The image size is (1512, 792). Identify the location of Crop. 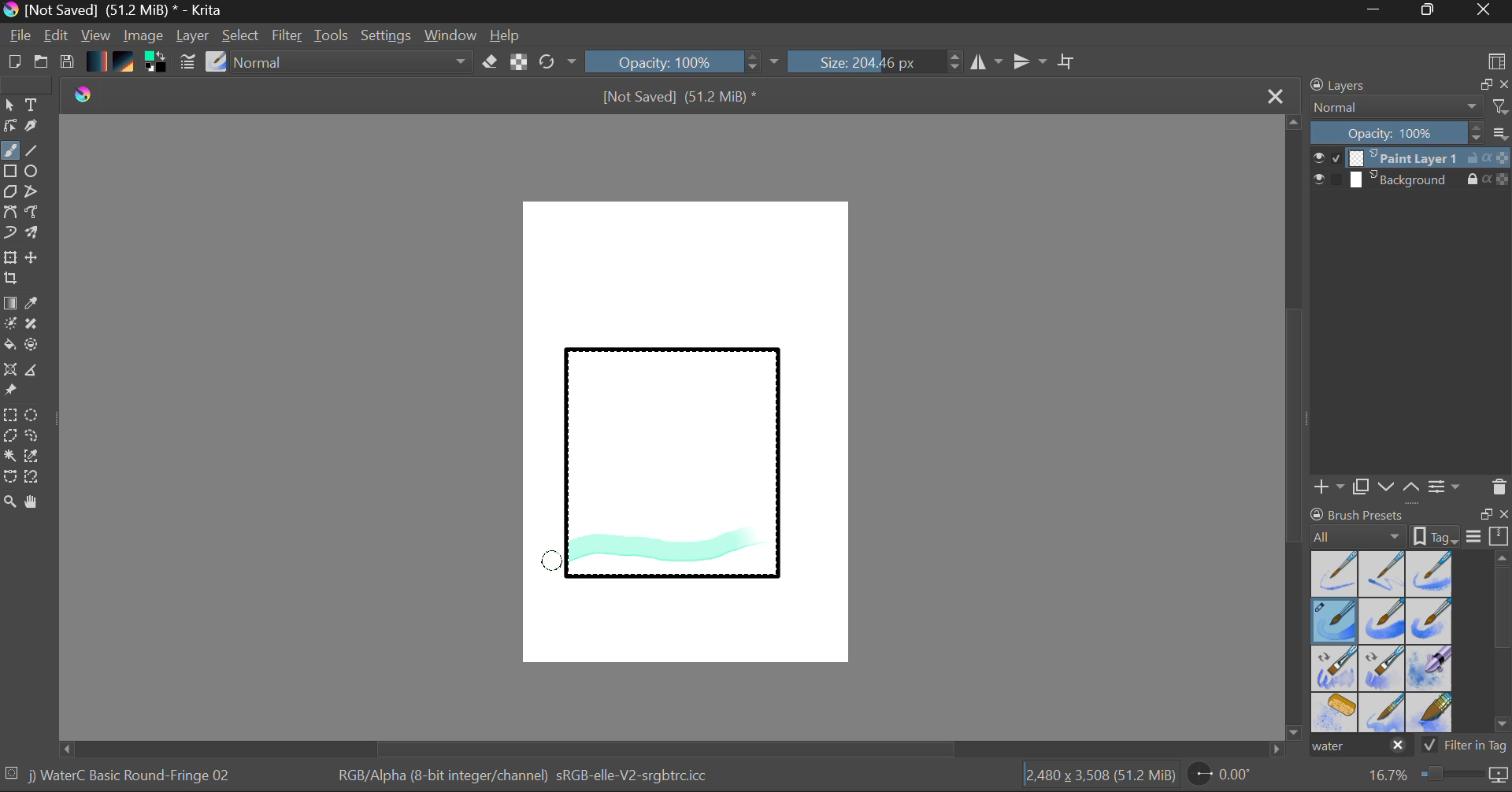
(13, 279).